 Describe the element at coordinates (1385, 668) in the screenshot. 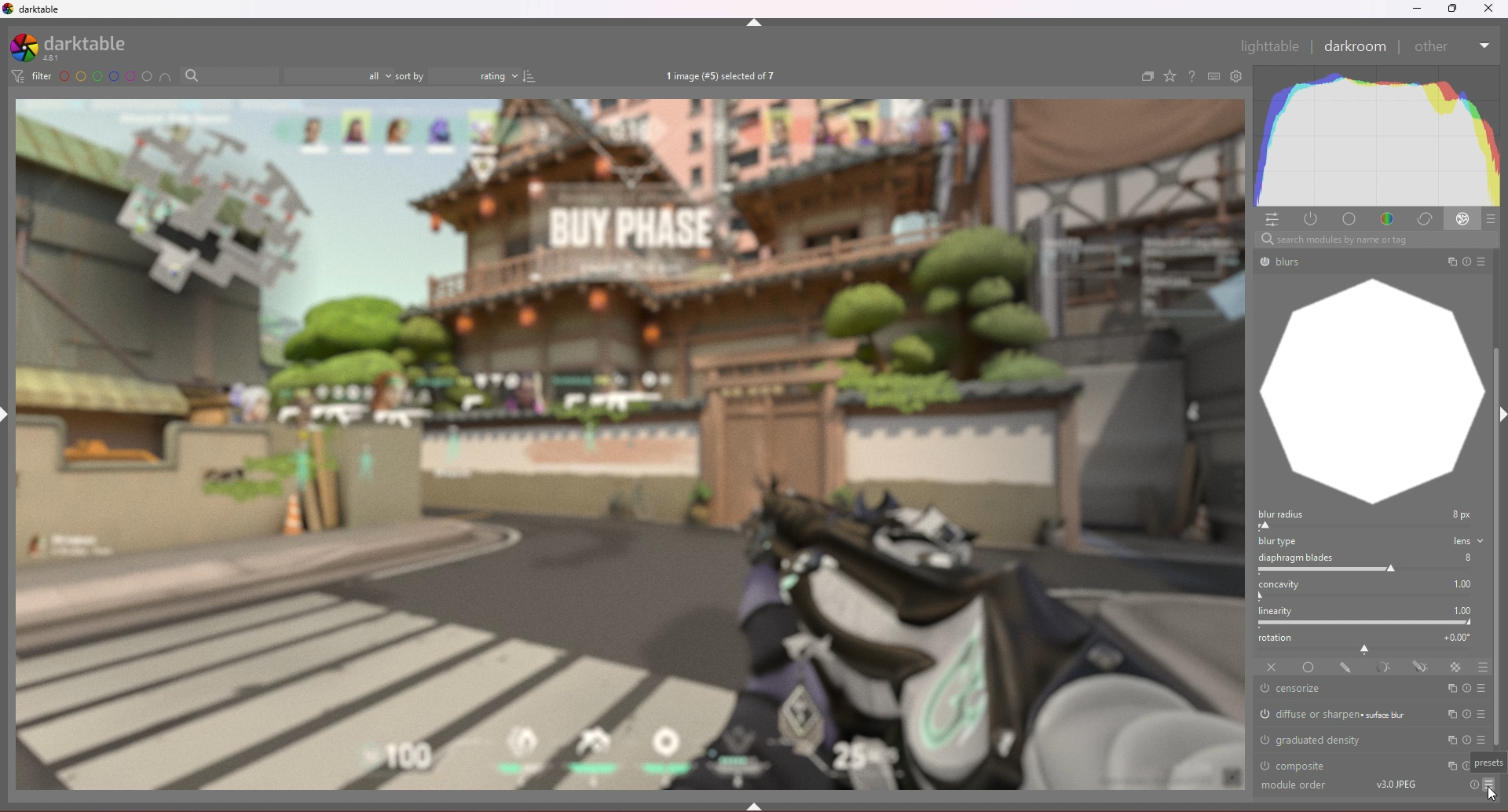

I see `parametric mask` at that location.